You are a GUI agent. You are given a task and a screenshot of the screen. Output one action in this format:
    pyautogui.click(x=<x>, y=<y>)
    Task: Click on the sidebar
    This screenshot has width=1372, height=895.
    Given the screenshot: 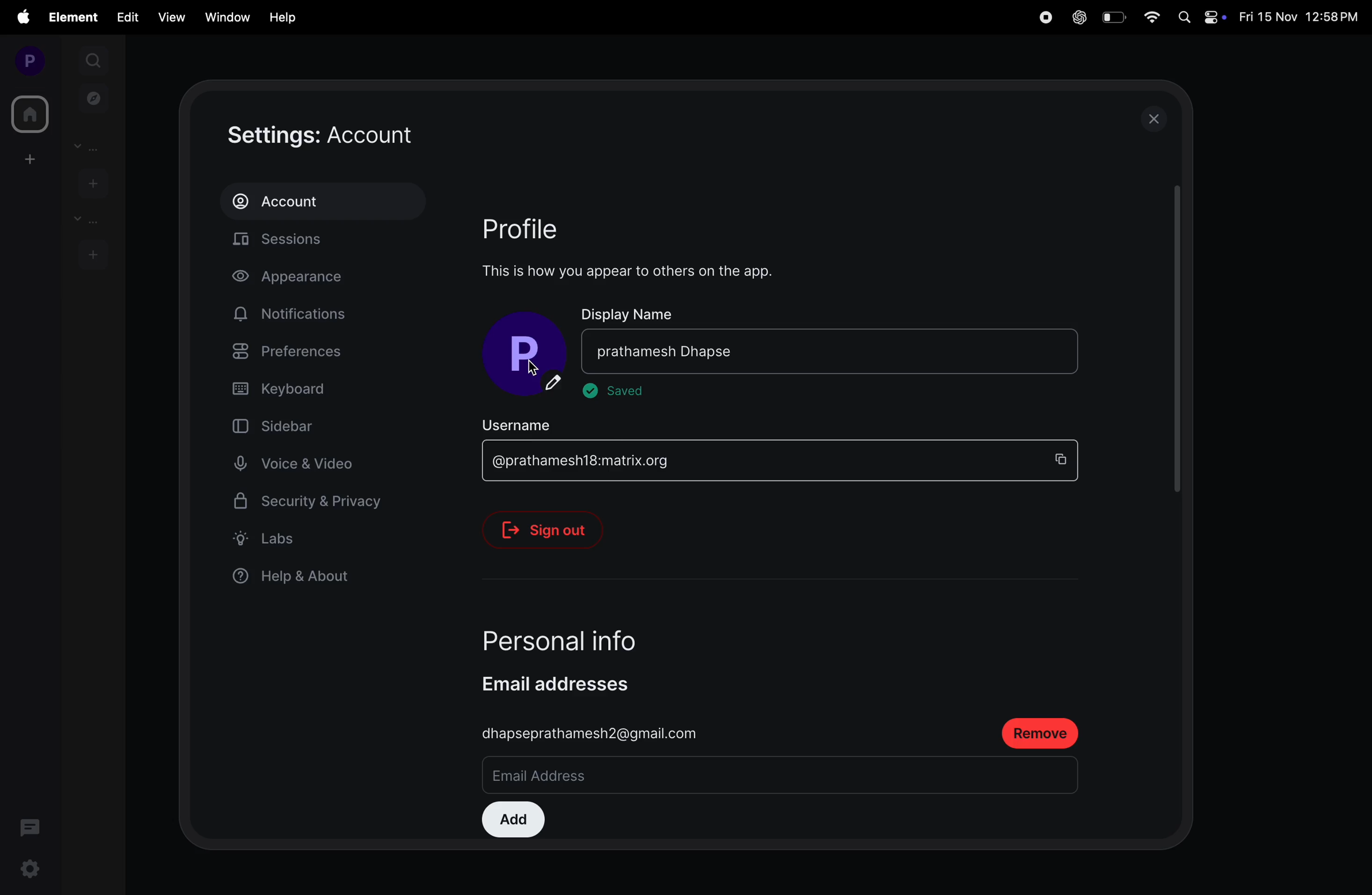 What is the action you would take?
    pyautogui.click(x=296, y=425)
    